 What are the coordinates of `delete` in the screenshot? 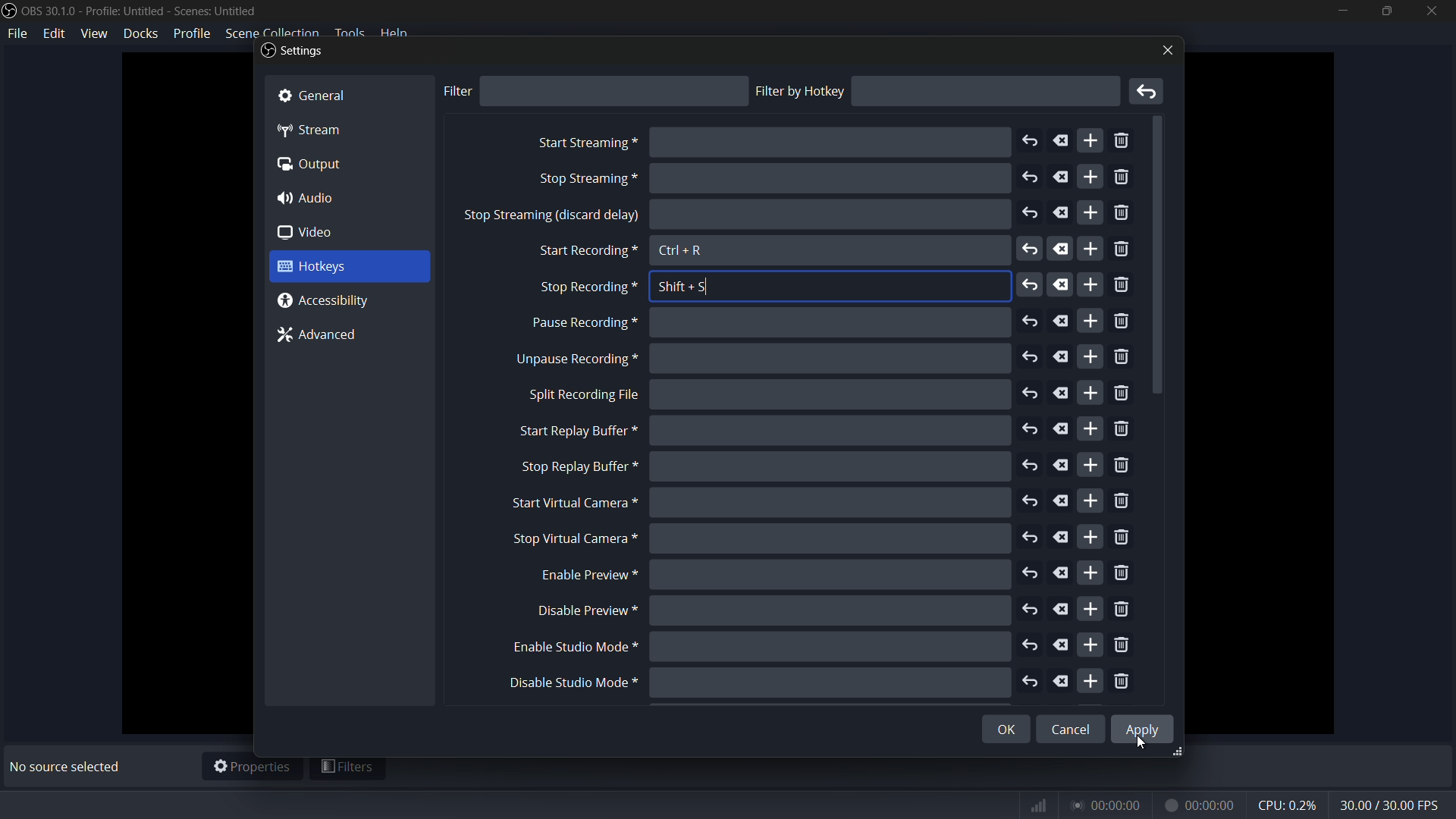 It's located at (1062, 466).